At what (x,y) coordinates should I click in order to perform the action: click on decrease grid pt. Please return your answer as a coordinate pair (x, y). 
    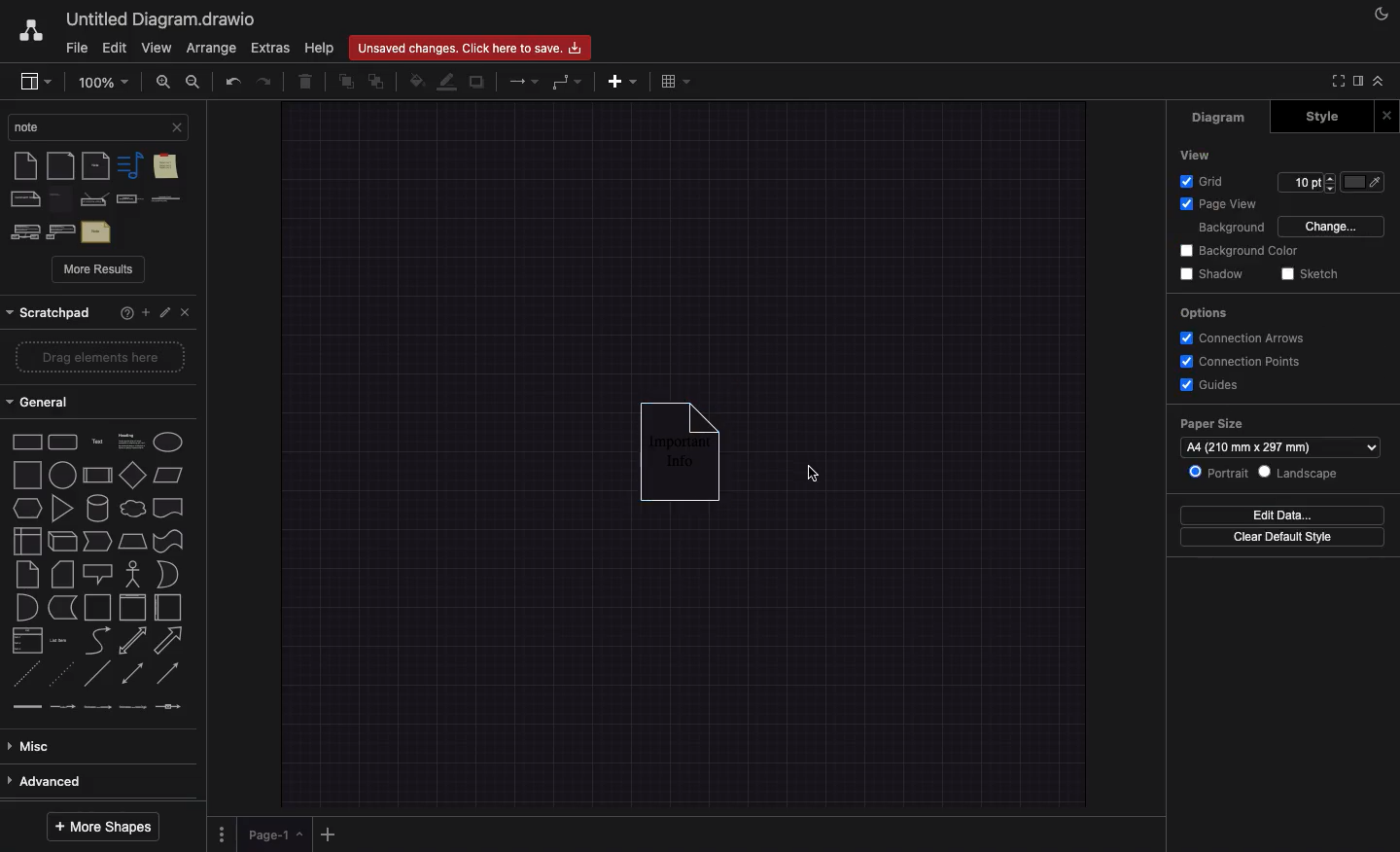
    Looking at the image, I should click on (1332, 191).